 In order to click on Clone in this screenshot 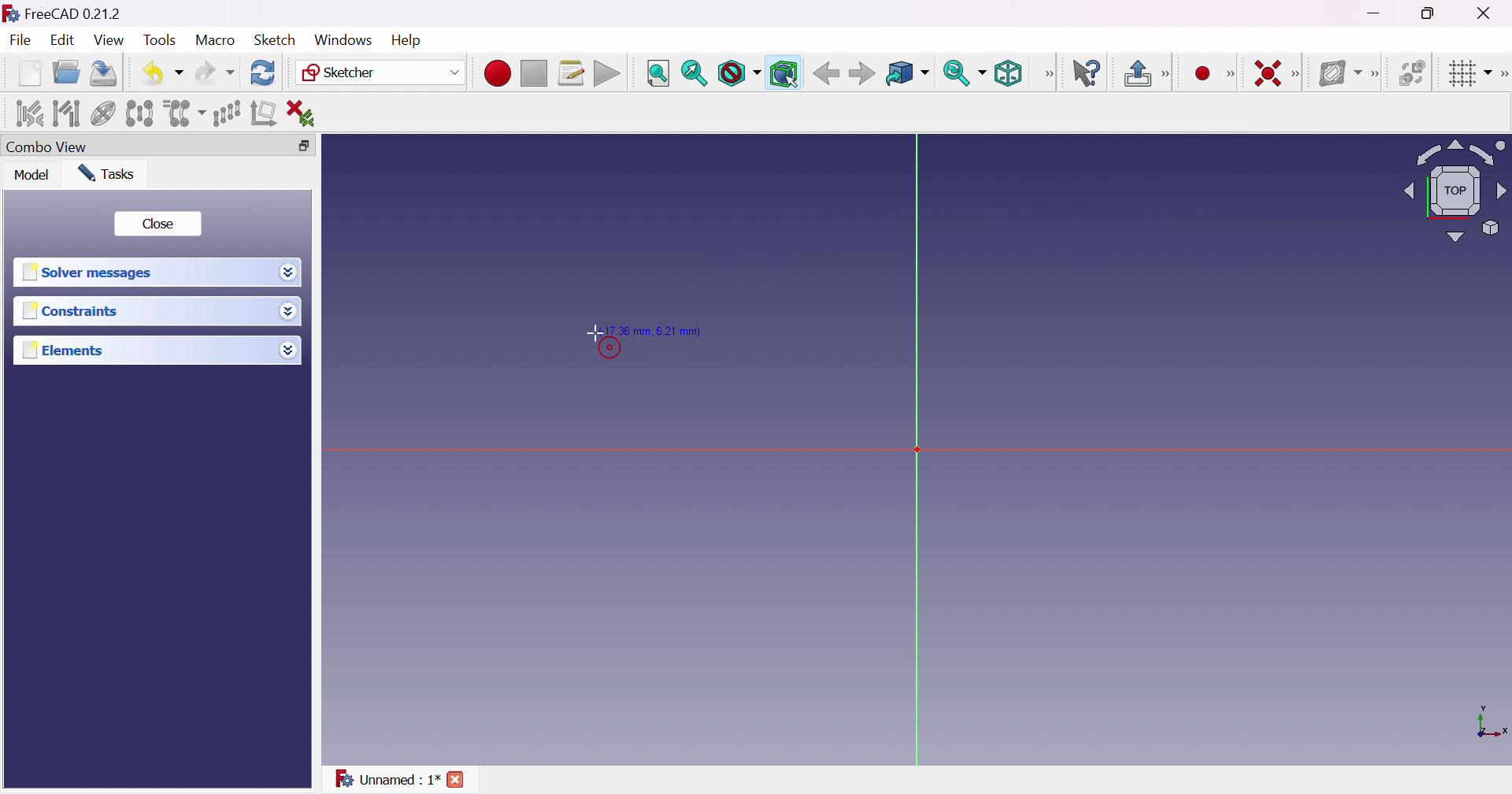, I will do `click(183, 113)`.